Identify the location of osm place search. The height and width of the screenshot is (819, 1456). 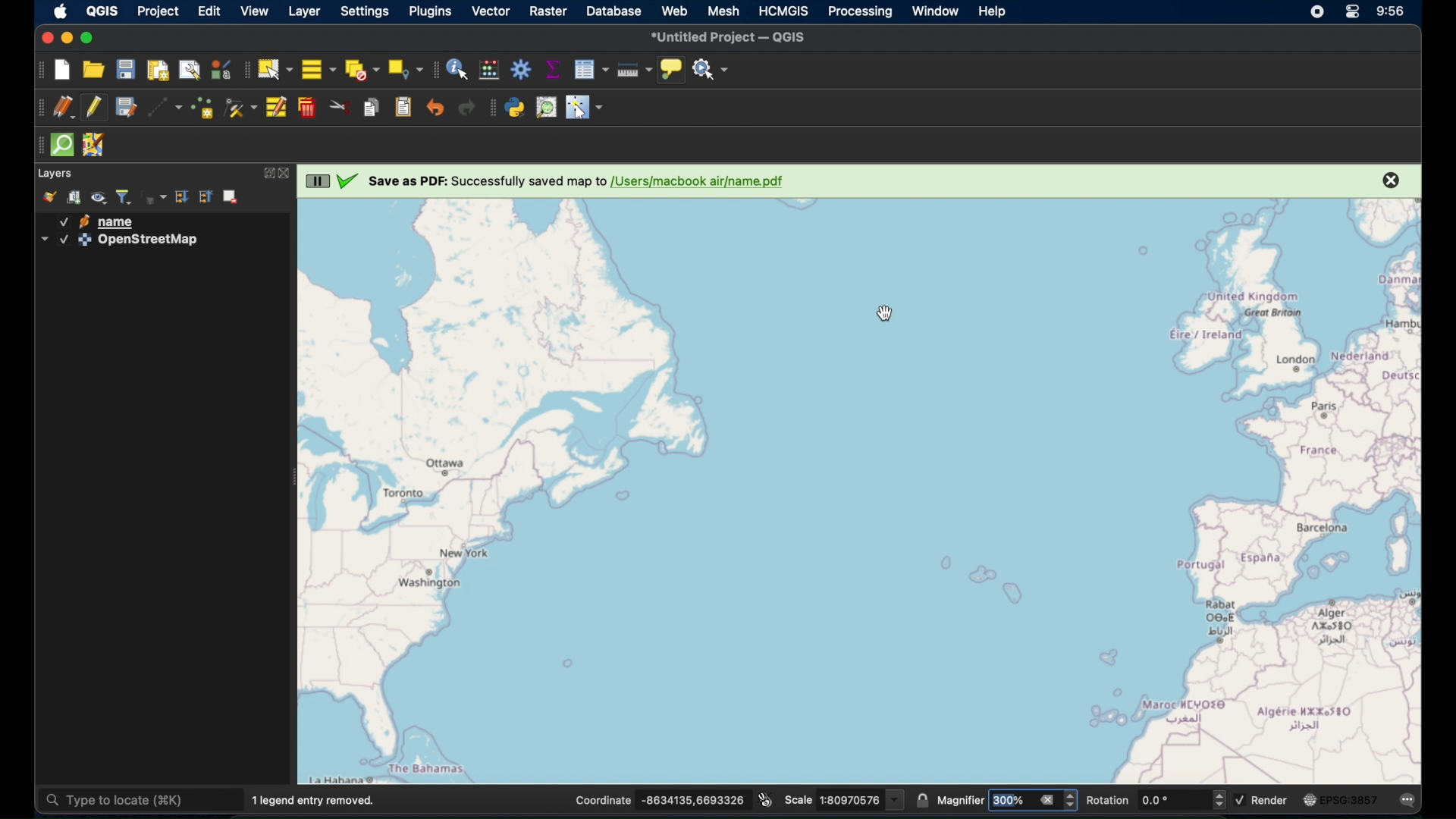
(546, 108).